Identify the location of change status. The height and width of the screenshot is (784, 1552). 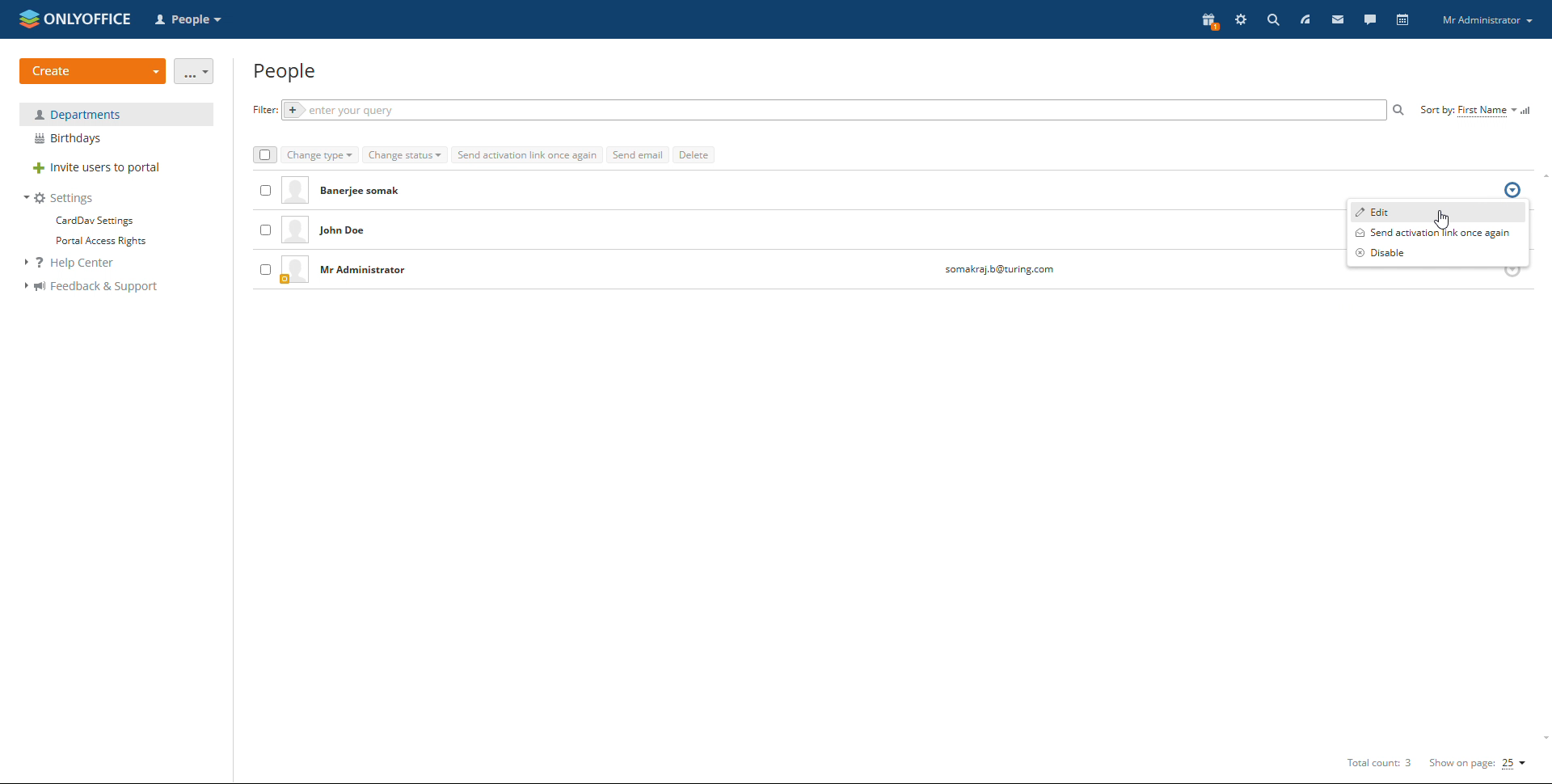
(405, 155).